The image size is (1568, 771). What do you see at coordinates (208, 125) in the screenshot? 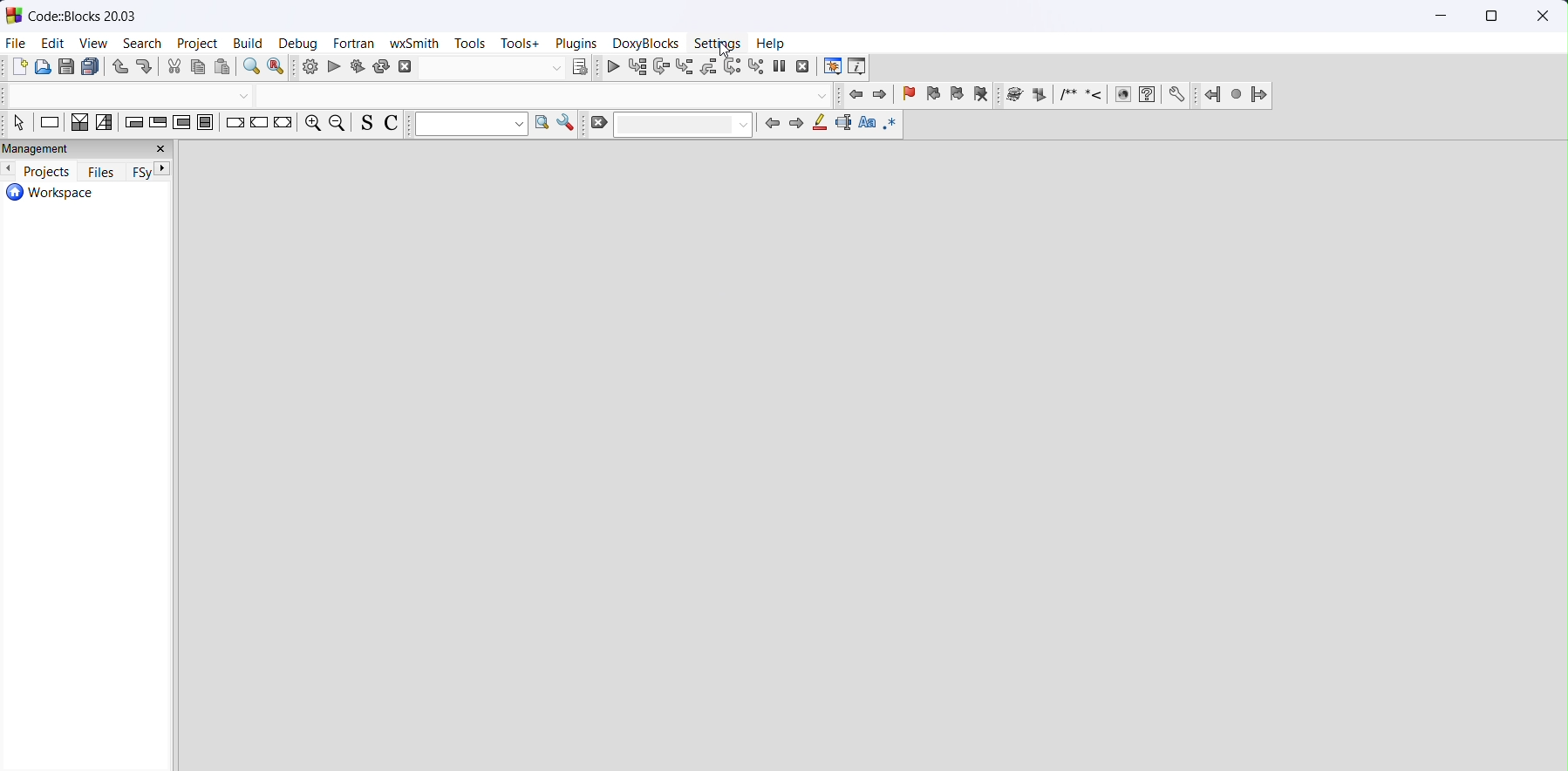
I see `block instruction` at bounding box center [208, 125].